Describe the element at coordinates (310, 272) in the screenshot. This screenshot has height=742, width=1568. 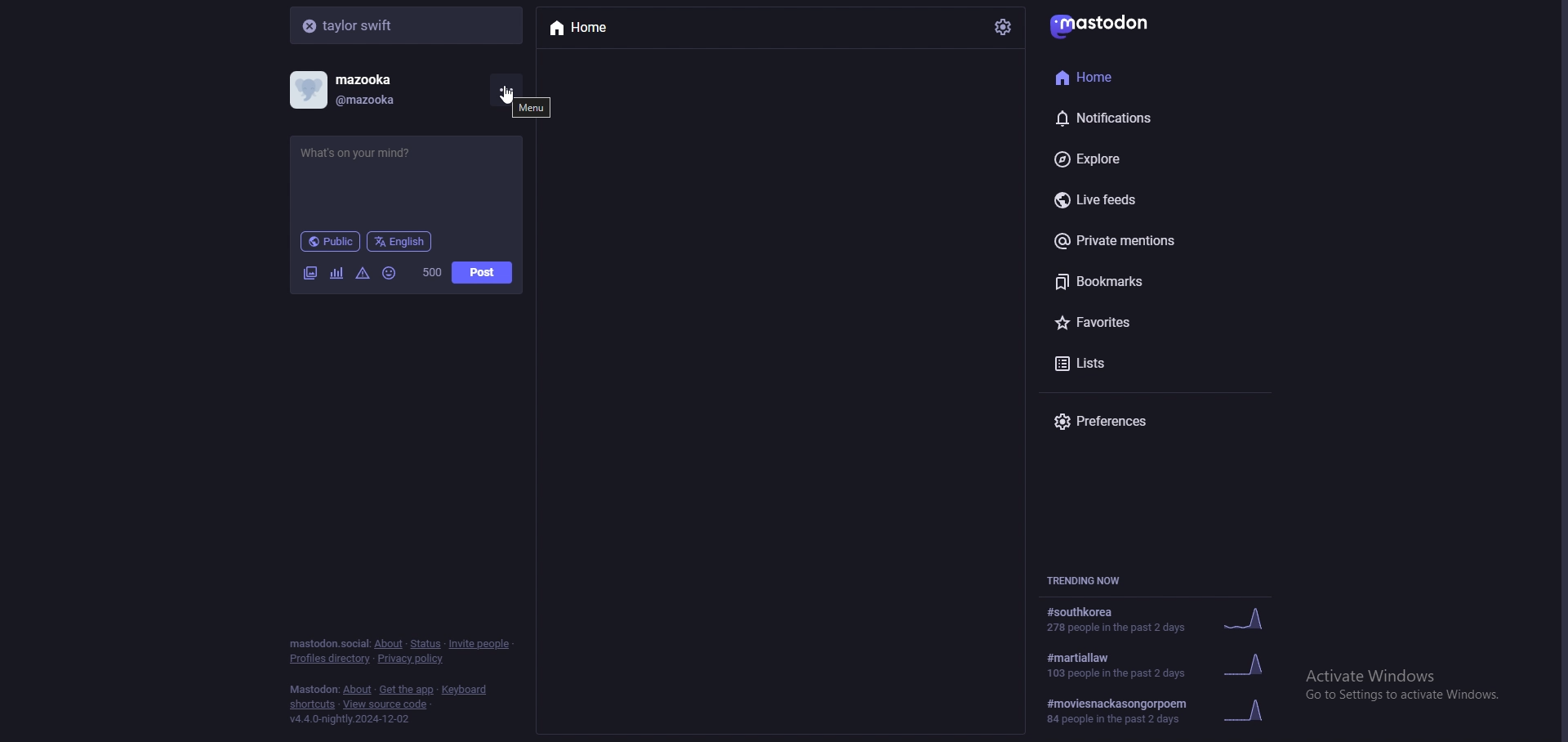
I see `images` at that location.